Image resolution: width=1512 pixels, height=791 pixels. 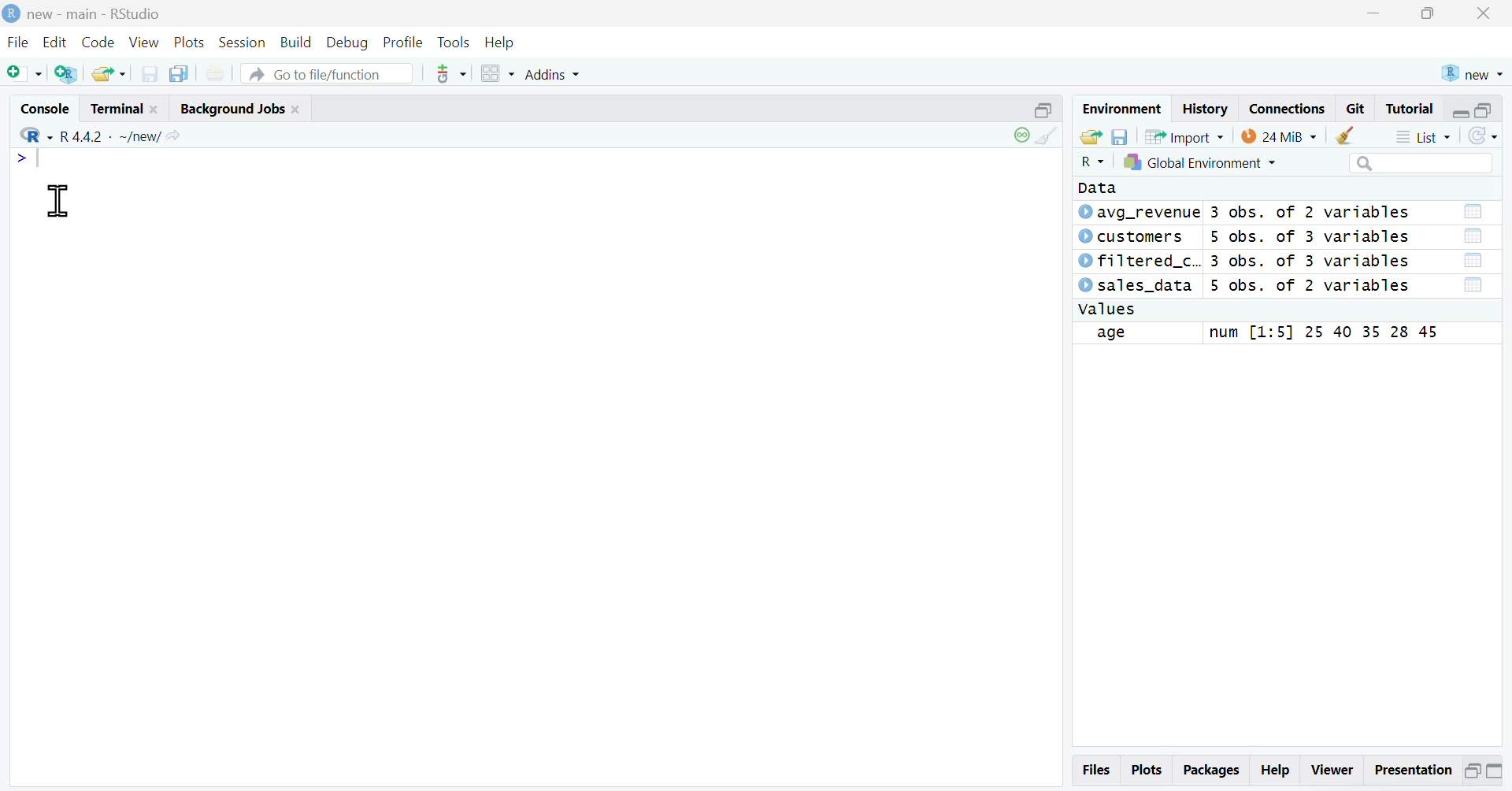 I want to click on R 4.4.2 . ~/new/, so click(x=121, y=136).